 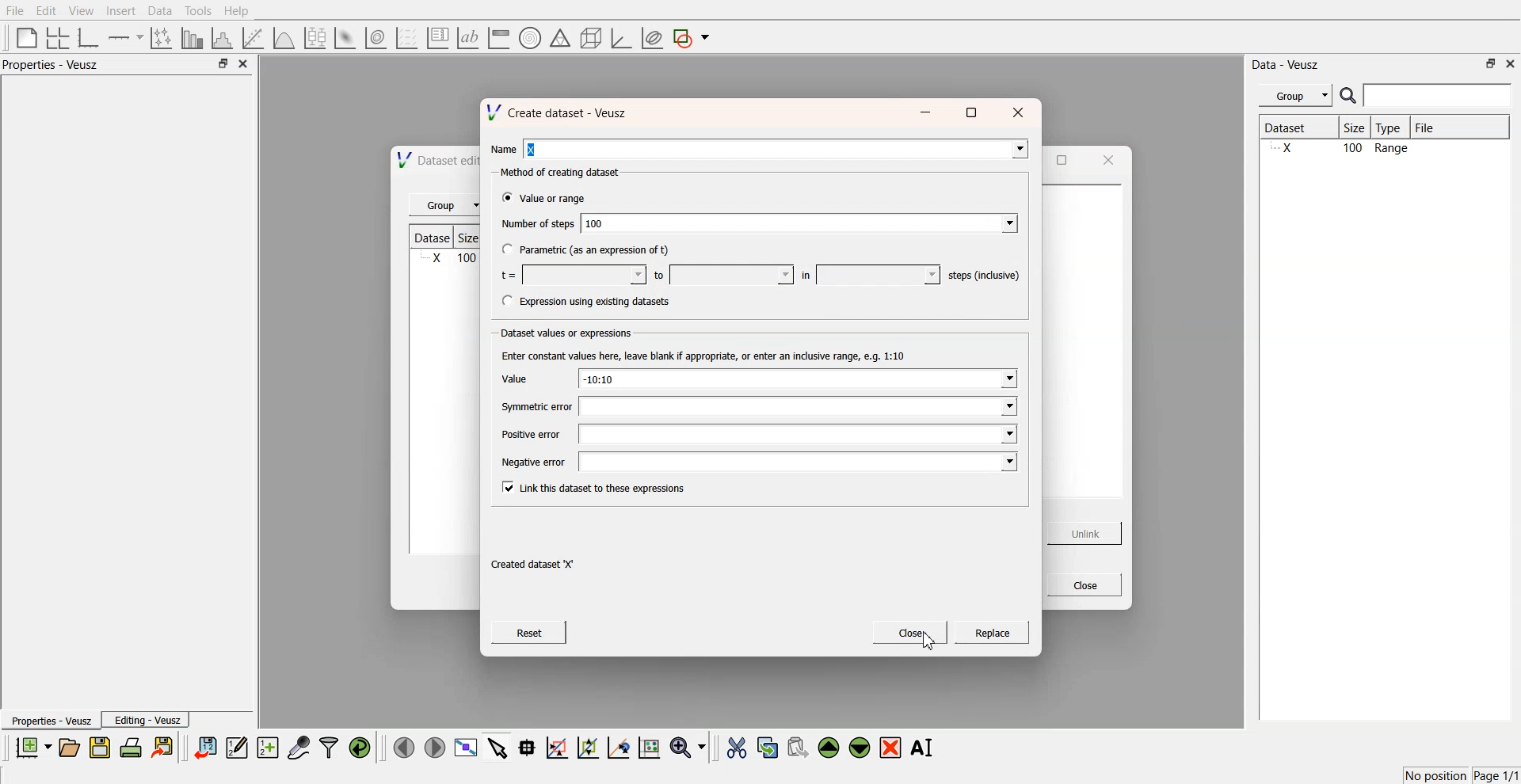 I want to click on maximise, so click(x=973, y=111).